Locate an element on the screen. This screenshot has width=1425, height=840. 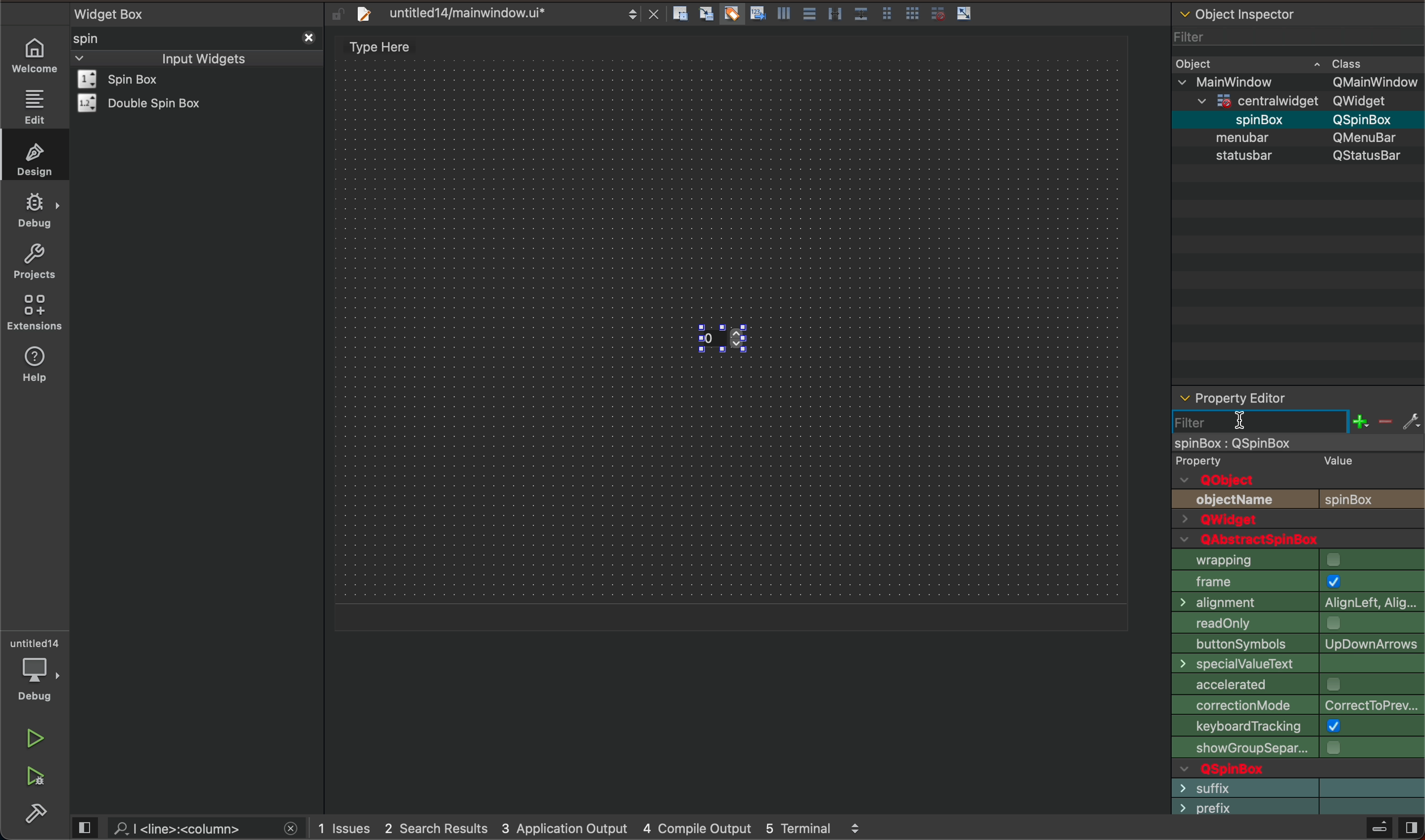
file tab is located at coordinates (495, 13).